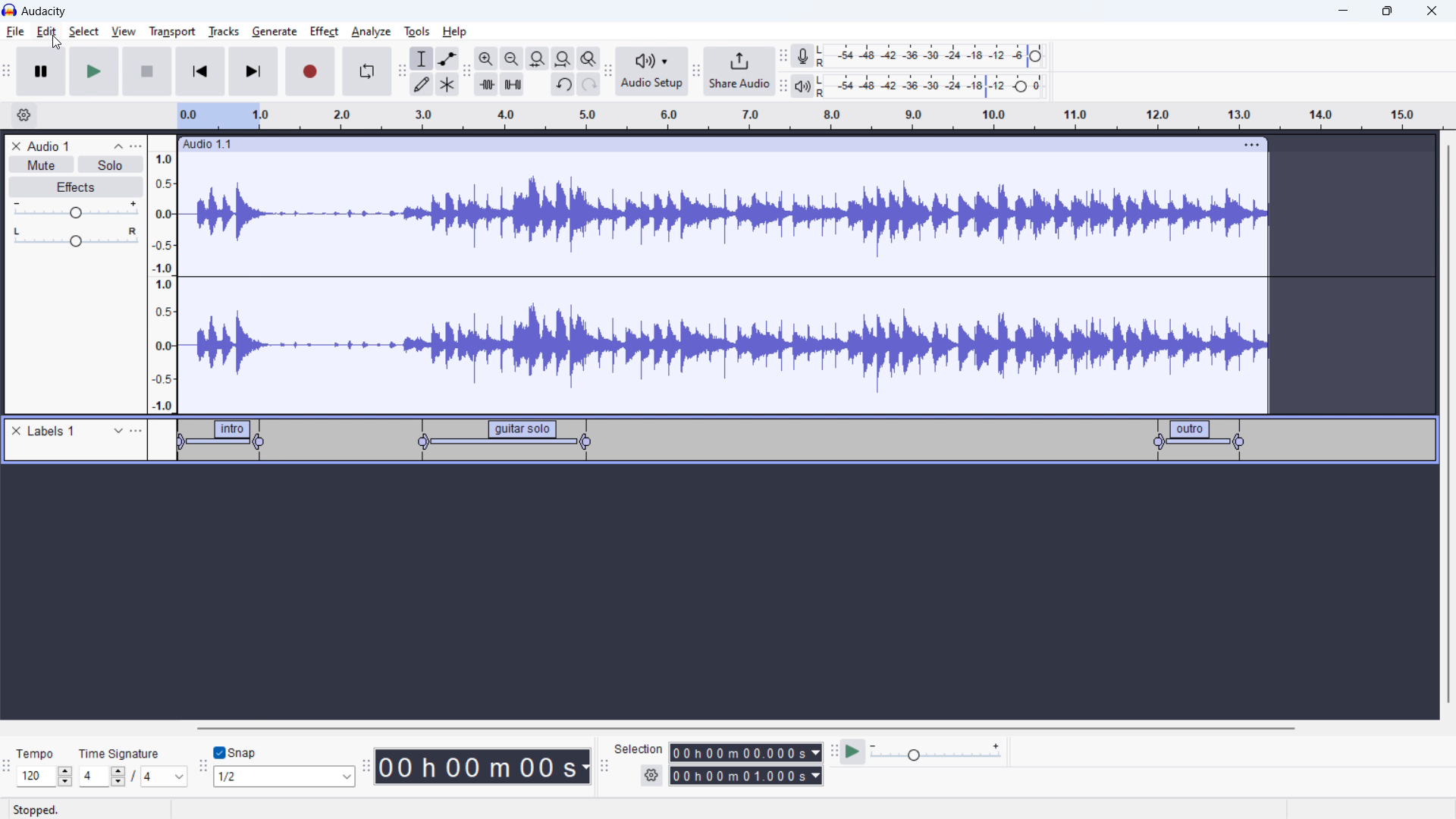 The image size is (1456, 819). I want to click on recording meter toolbar, so click(783, 58).